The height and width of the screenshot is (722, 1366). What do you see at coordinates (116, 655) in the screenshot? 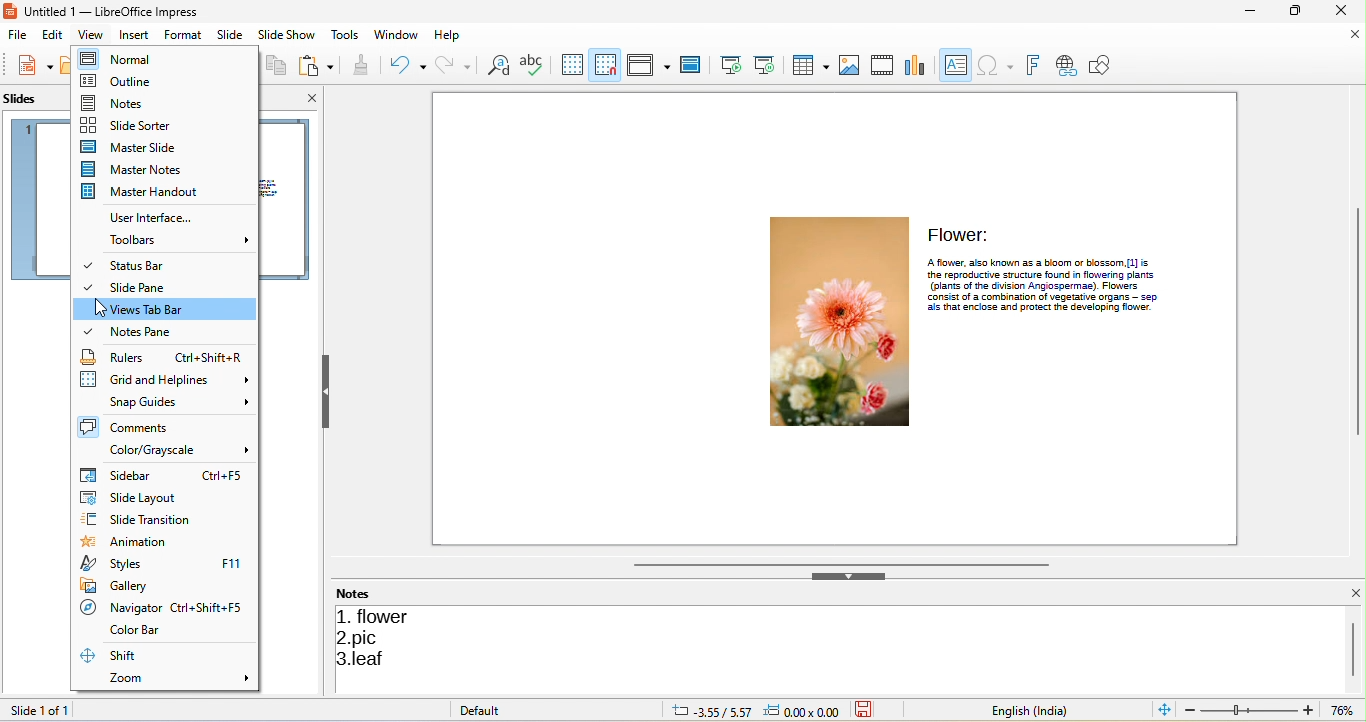
I see `shift` at bounding box center [116, 655].